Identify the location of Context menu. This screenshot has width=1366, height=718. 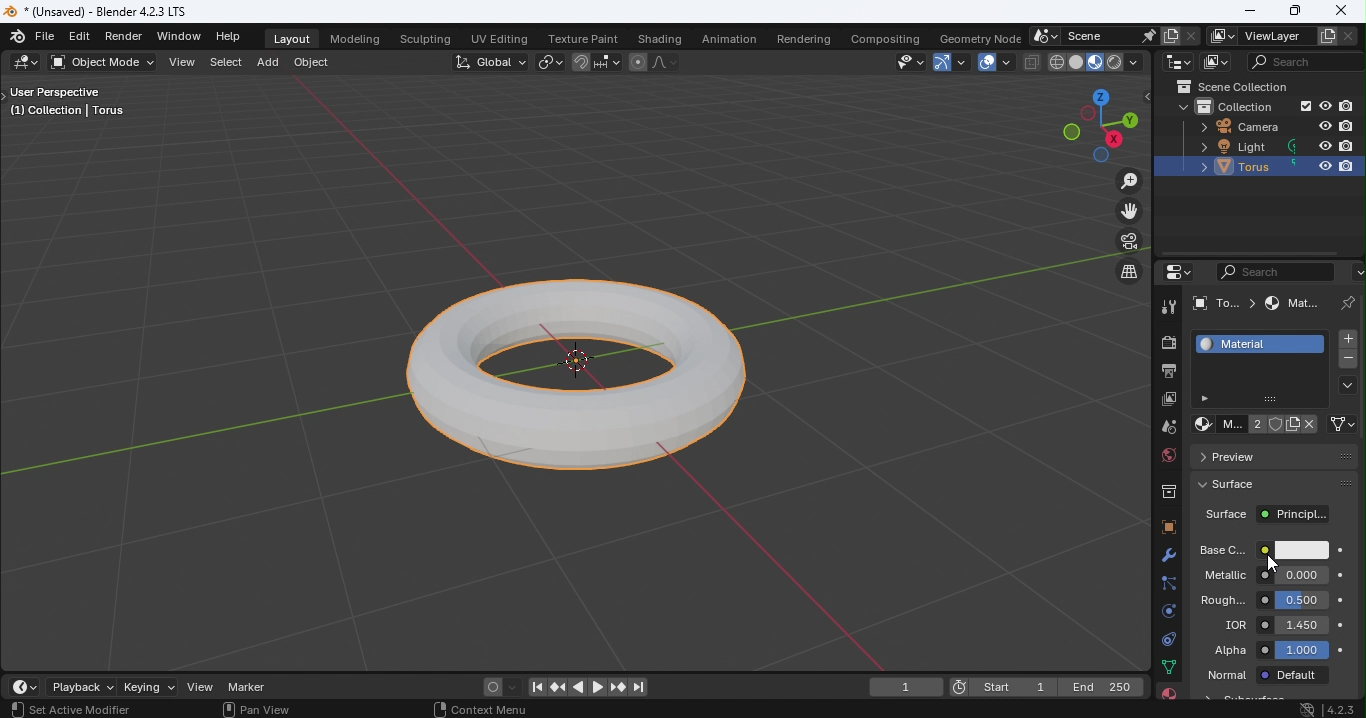
(481, 709).